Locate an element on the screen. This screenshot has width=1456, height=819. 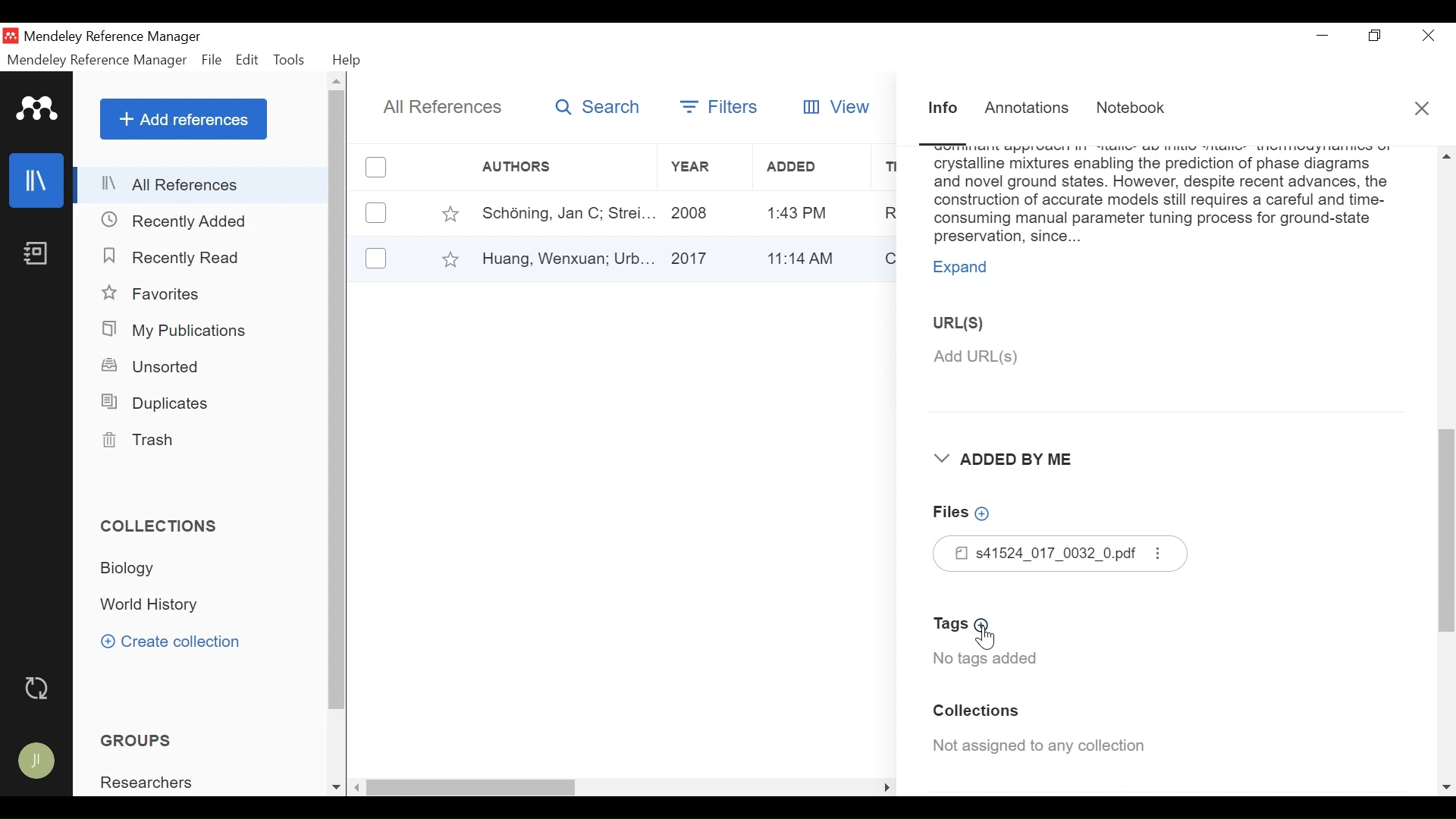
Files is located at coordinates (1062, 554).